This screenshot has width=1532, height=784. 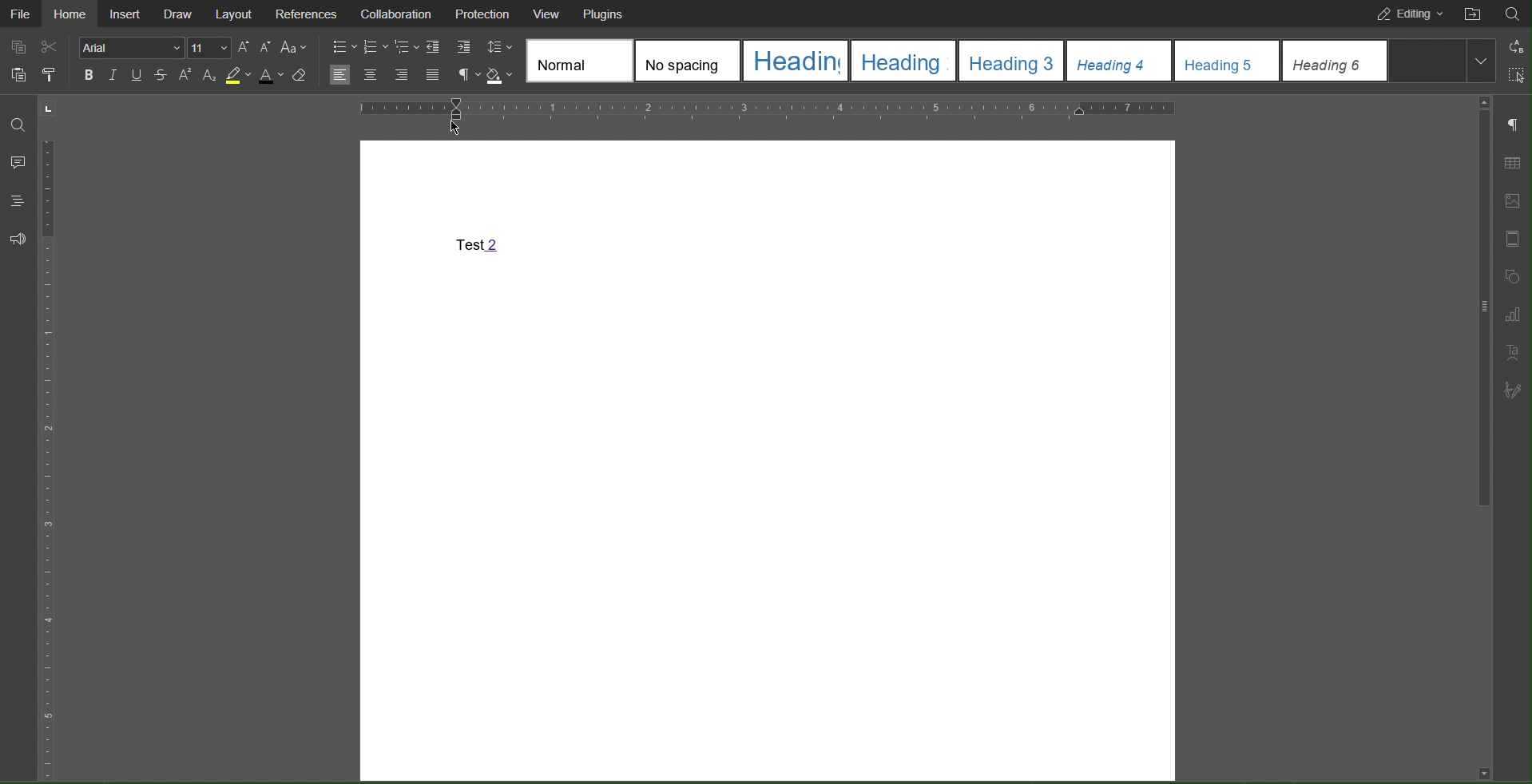 What do you see at coordinates (375, 46) in the screenshot?
I see `Numbered List` at bounding box center [375, 46].